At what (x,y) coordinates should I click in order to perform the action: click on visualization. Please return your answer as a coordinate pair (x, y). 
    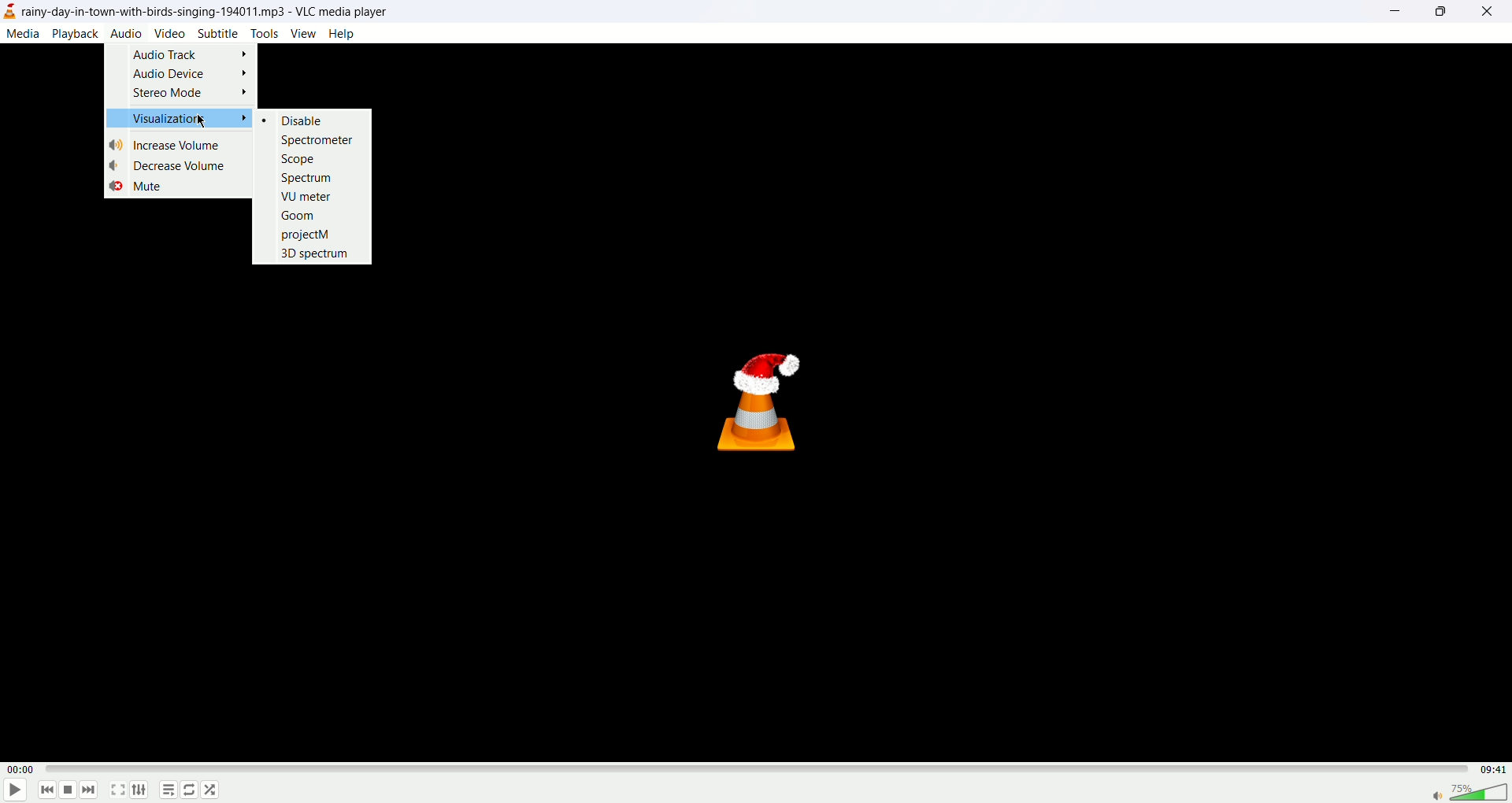
    Looking at the image, I should click on (182, 117).